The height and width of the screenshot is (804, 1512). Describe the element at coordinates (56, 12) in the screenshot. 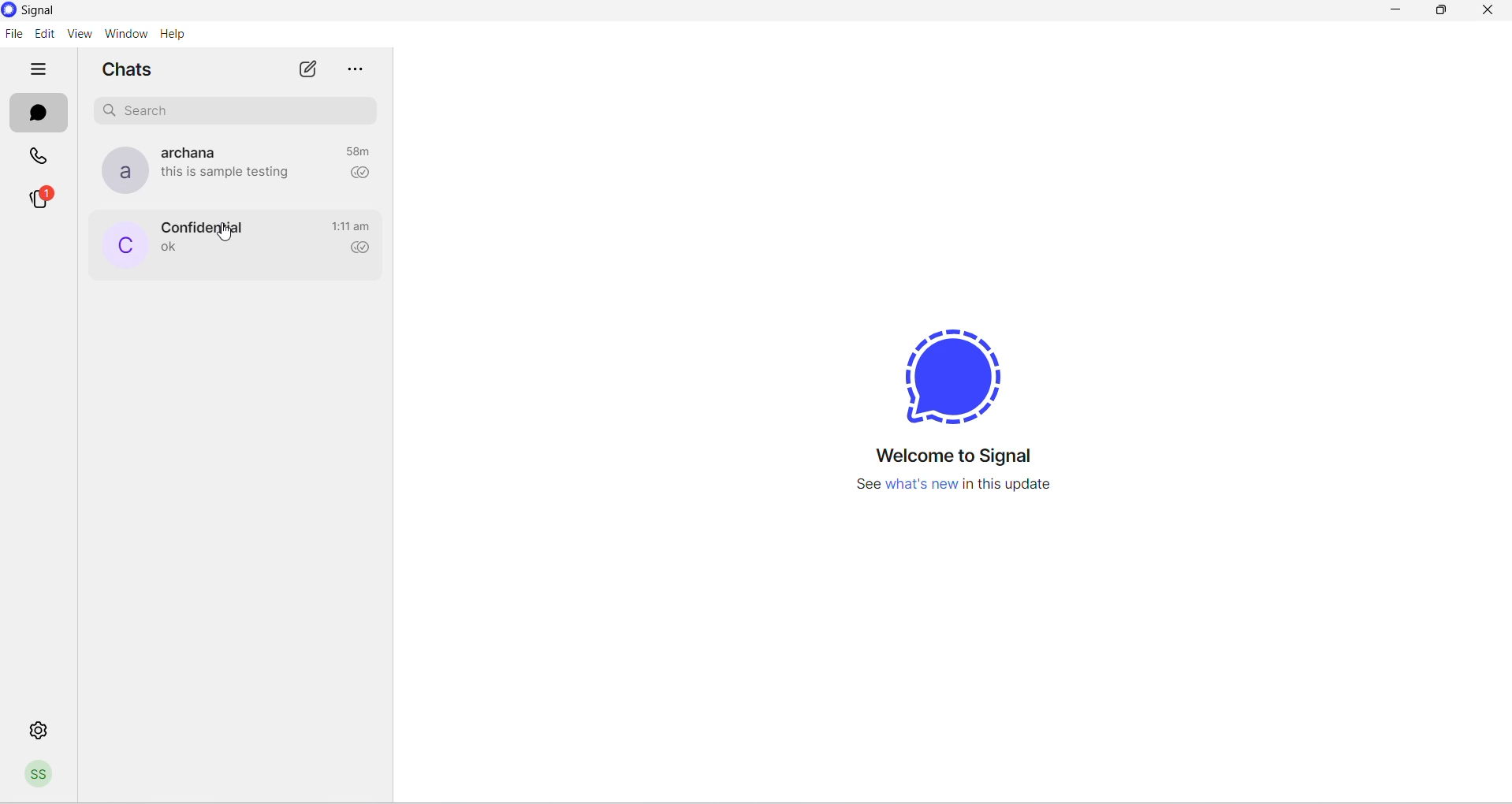

I see `system` at that location.